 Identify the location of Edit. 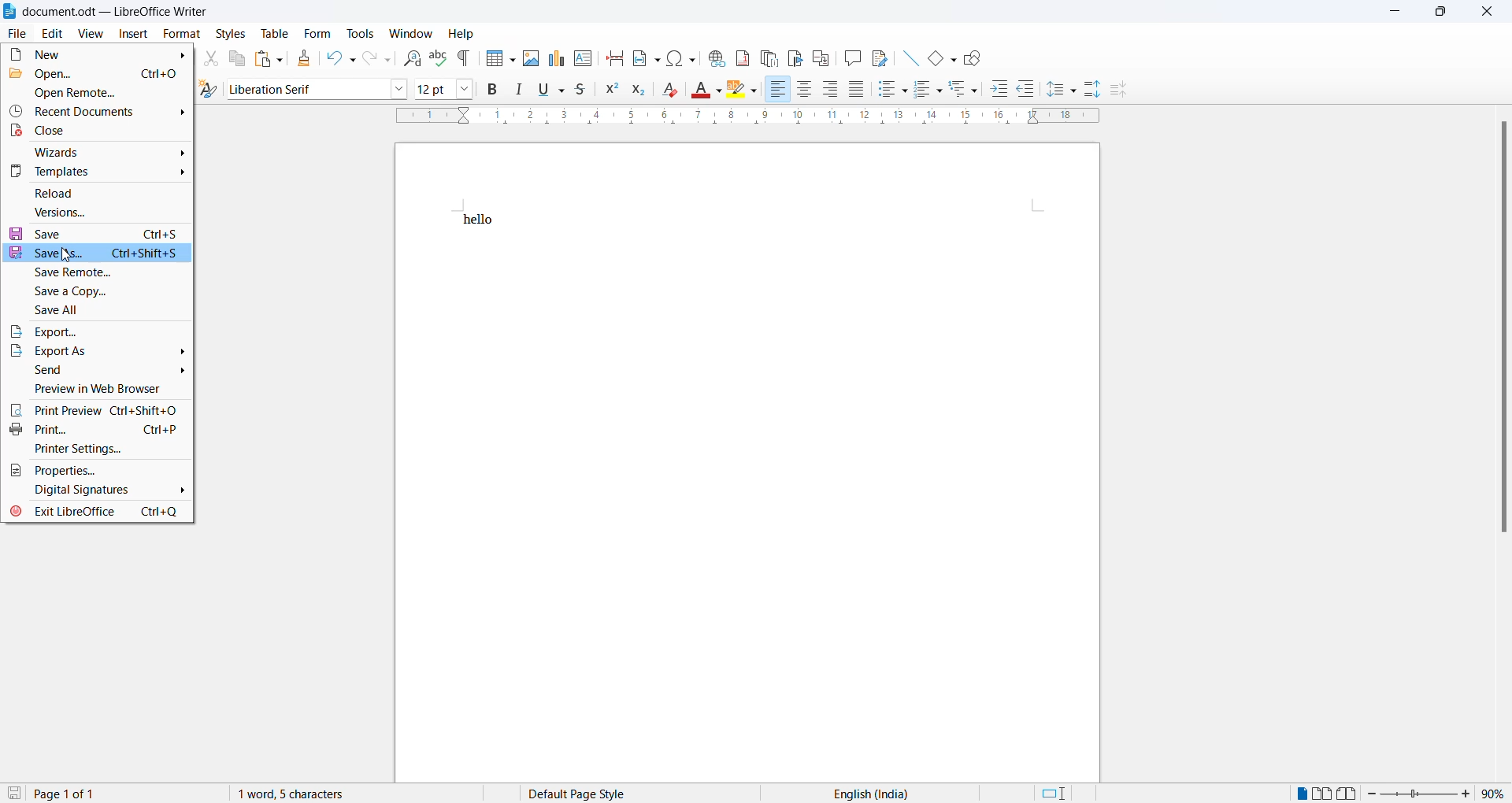
(54, 33).